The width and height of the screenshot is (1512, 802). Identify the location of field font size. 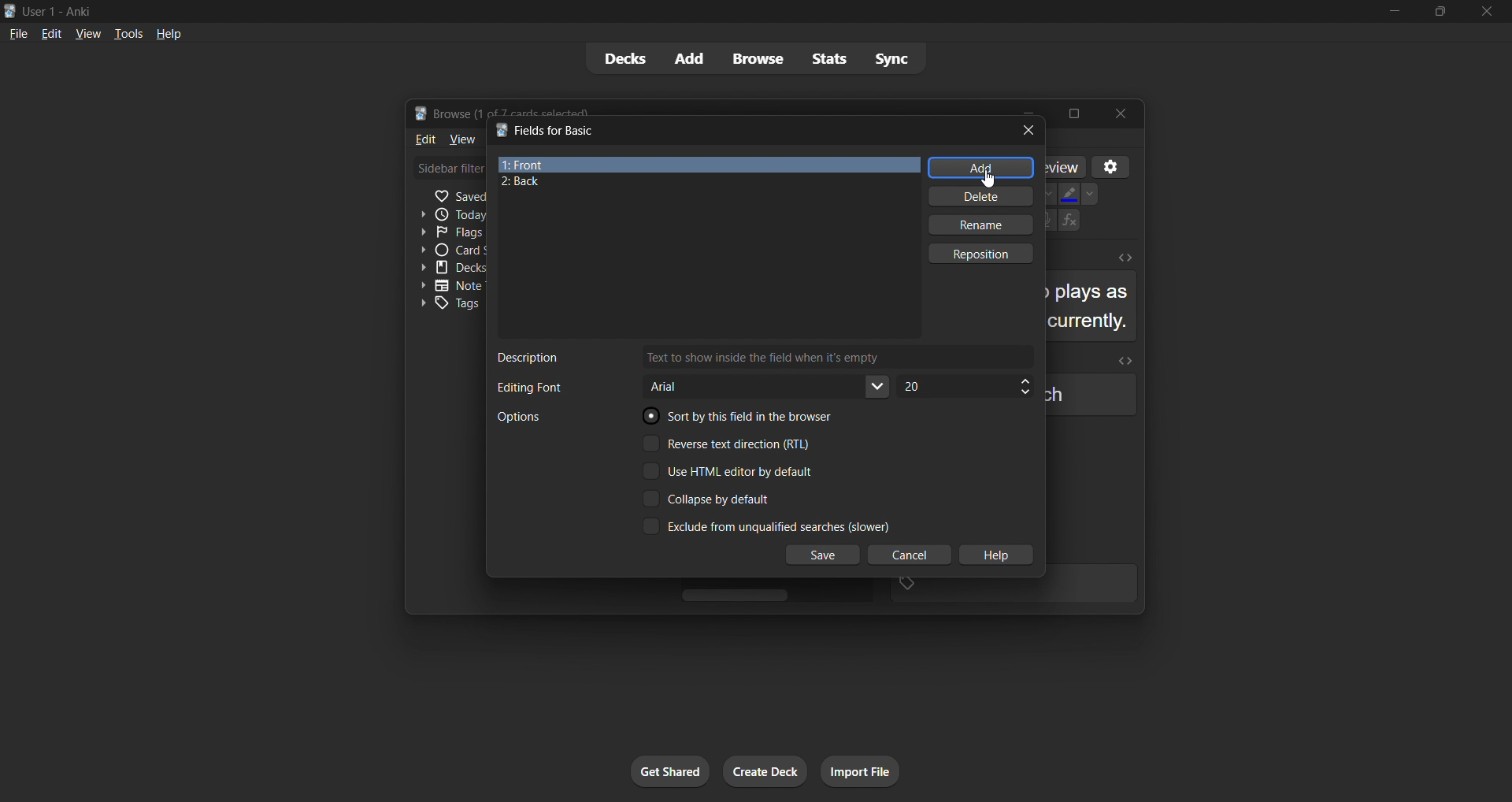
(965, 387).